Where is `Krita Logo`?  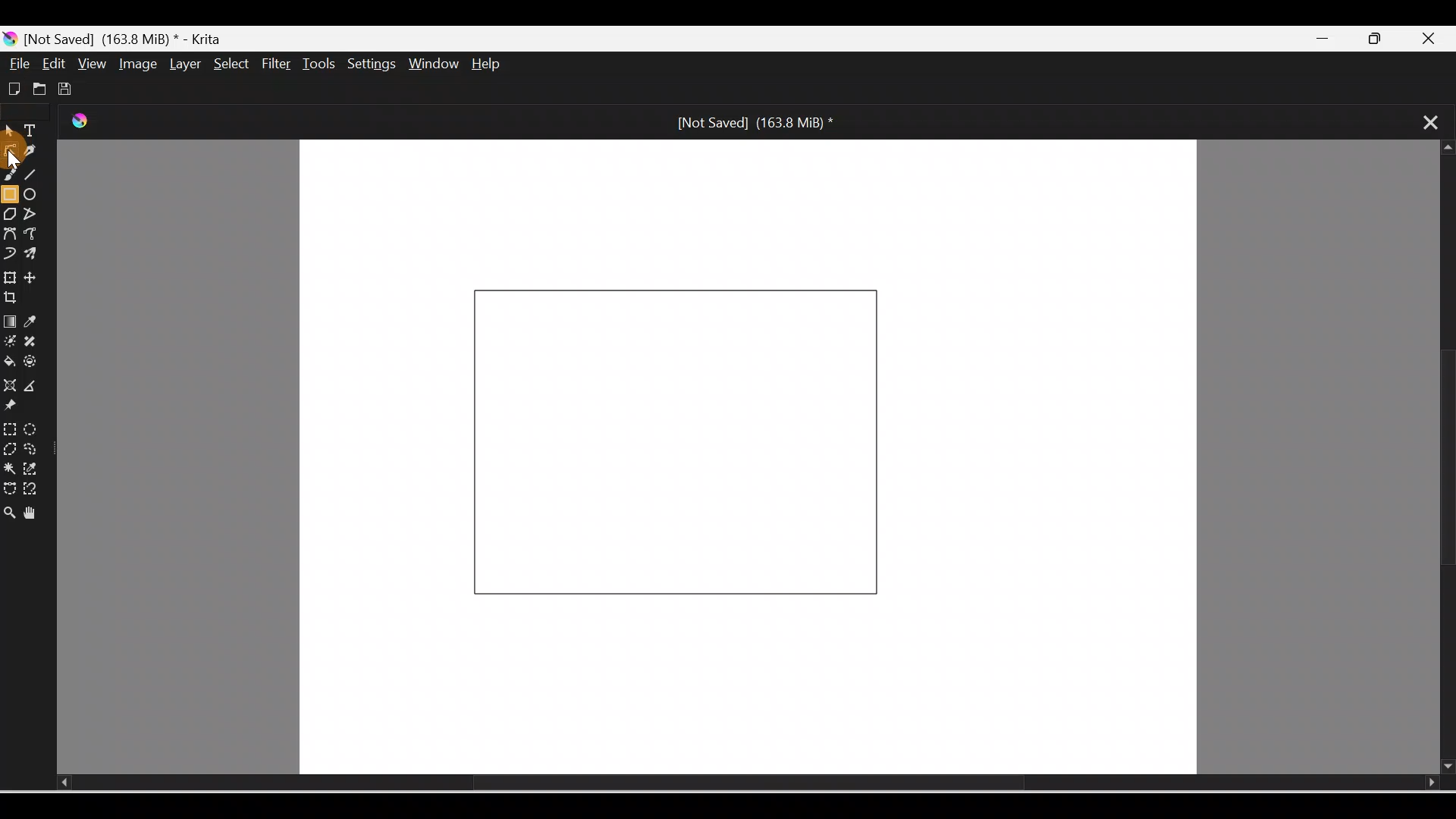 Krita Logo is located at coordinates (87, 124).